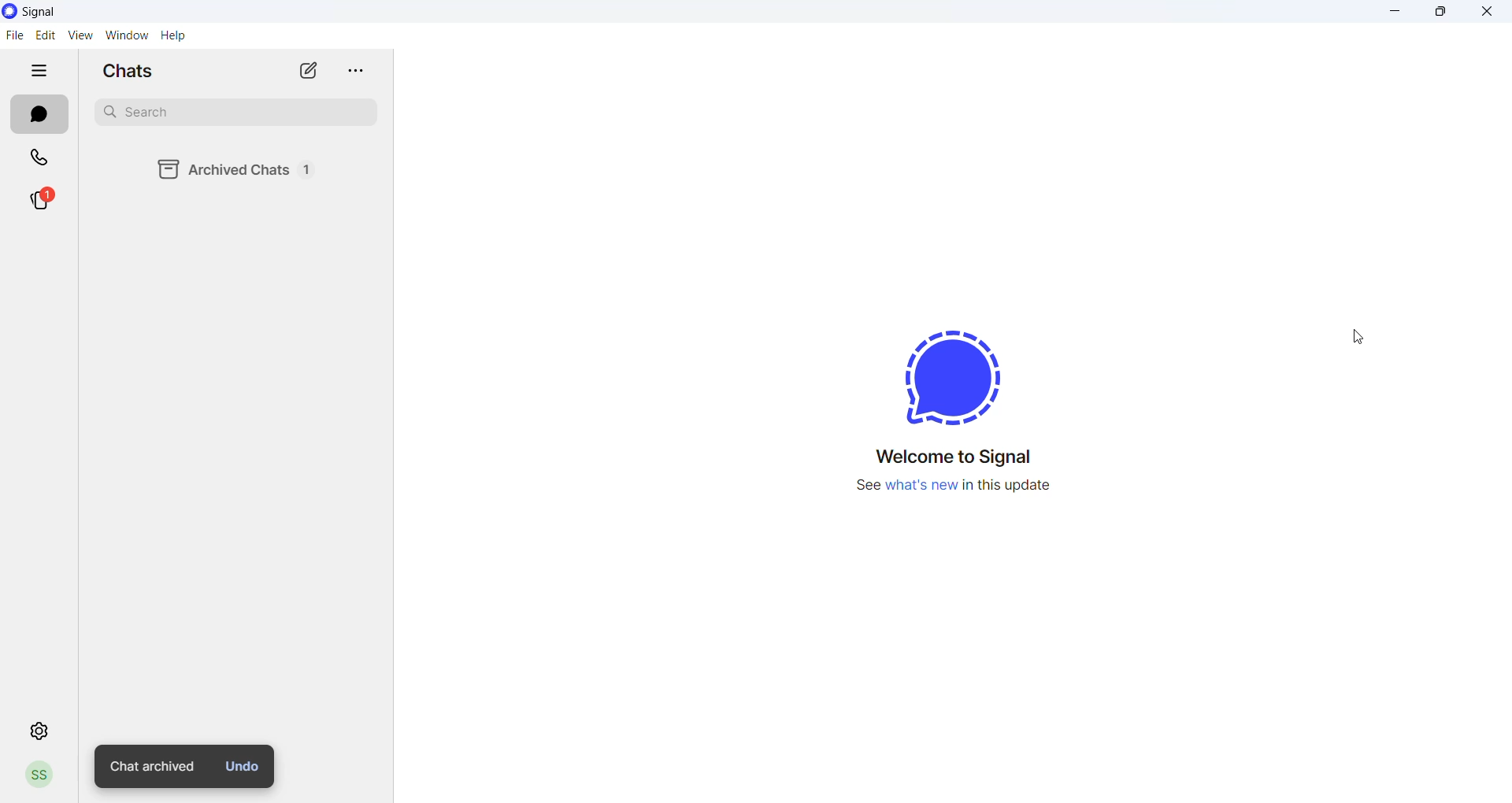 Image resolution: width=1512 pixels, height=803 pixels. What do you see at coordinates (78, 35) in the screenshot?
I see `view` at bounding box center [78, 35].